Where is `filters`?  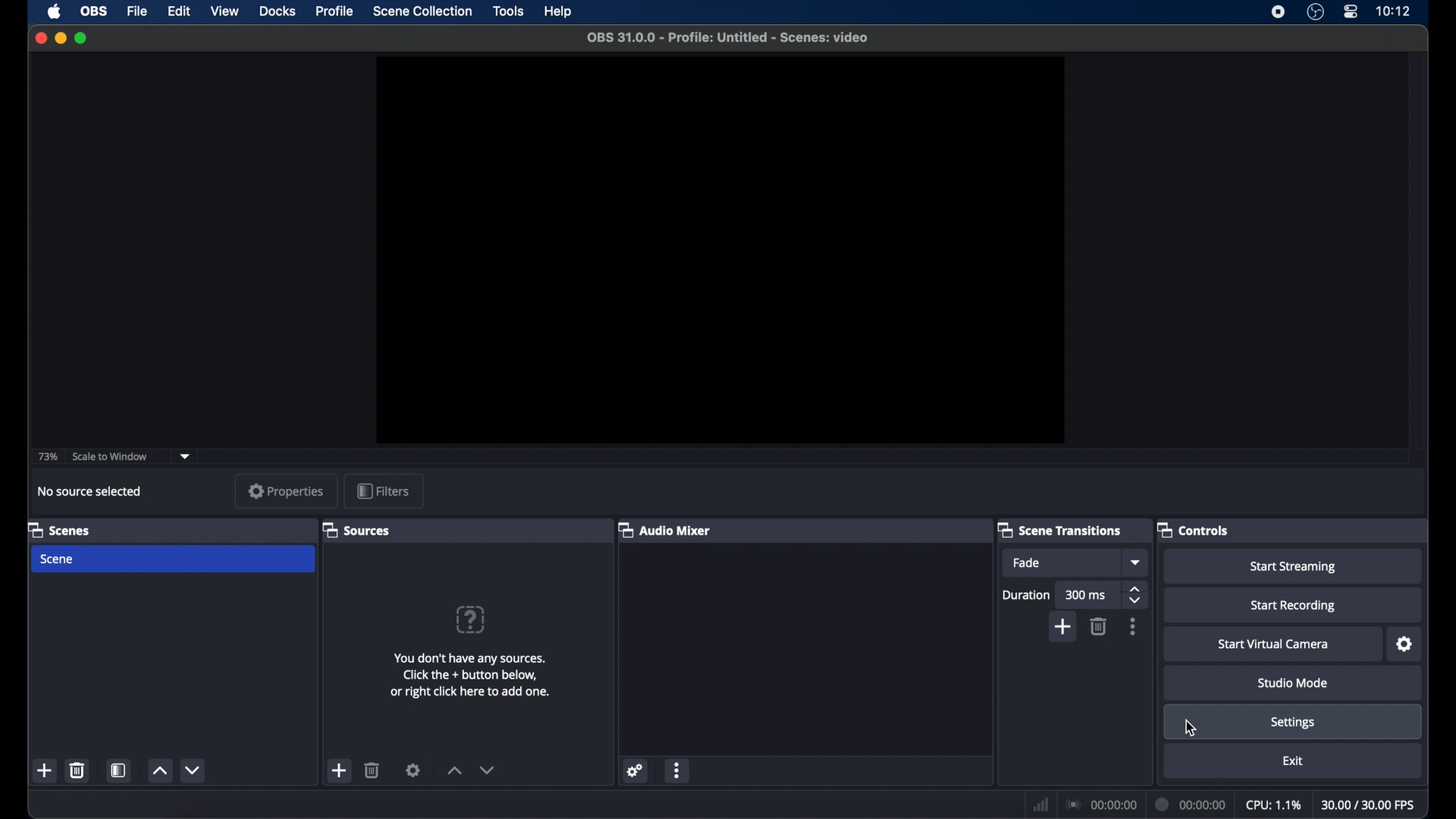
filters is located at coordinates (382, 491).